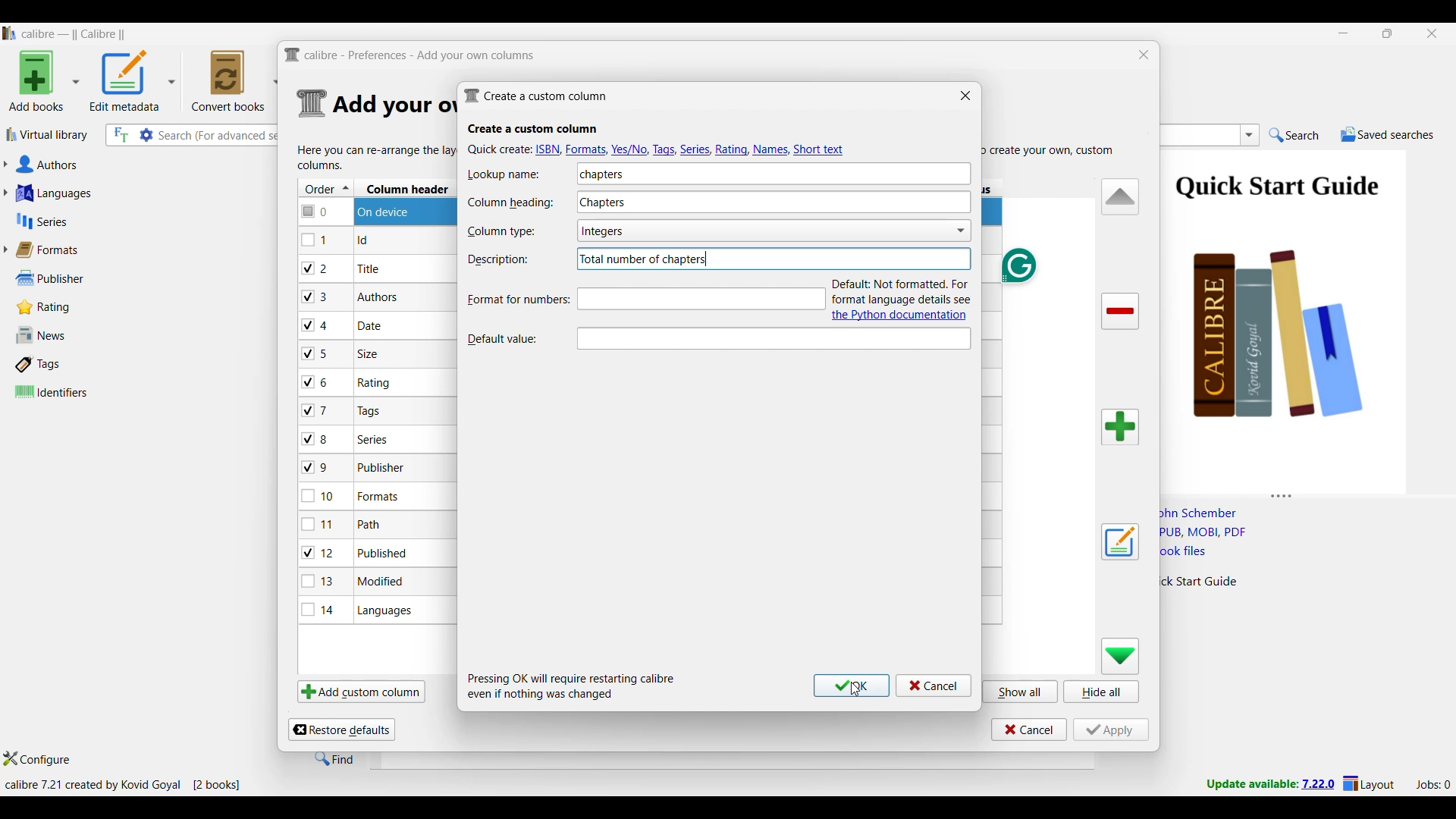  Describe the element at coordinates (315, 468) in the screenshot. I see `checkbox - 9` at that location.